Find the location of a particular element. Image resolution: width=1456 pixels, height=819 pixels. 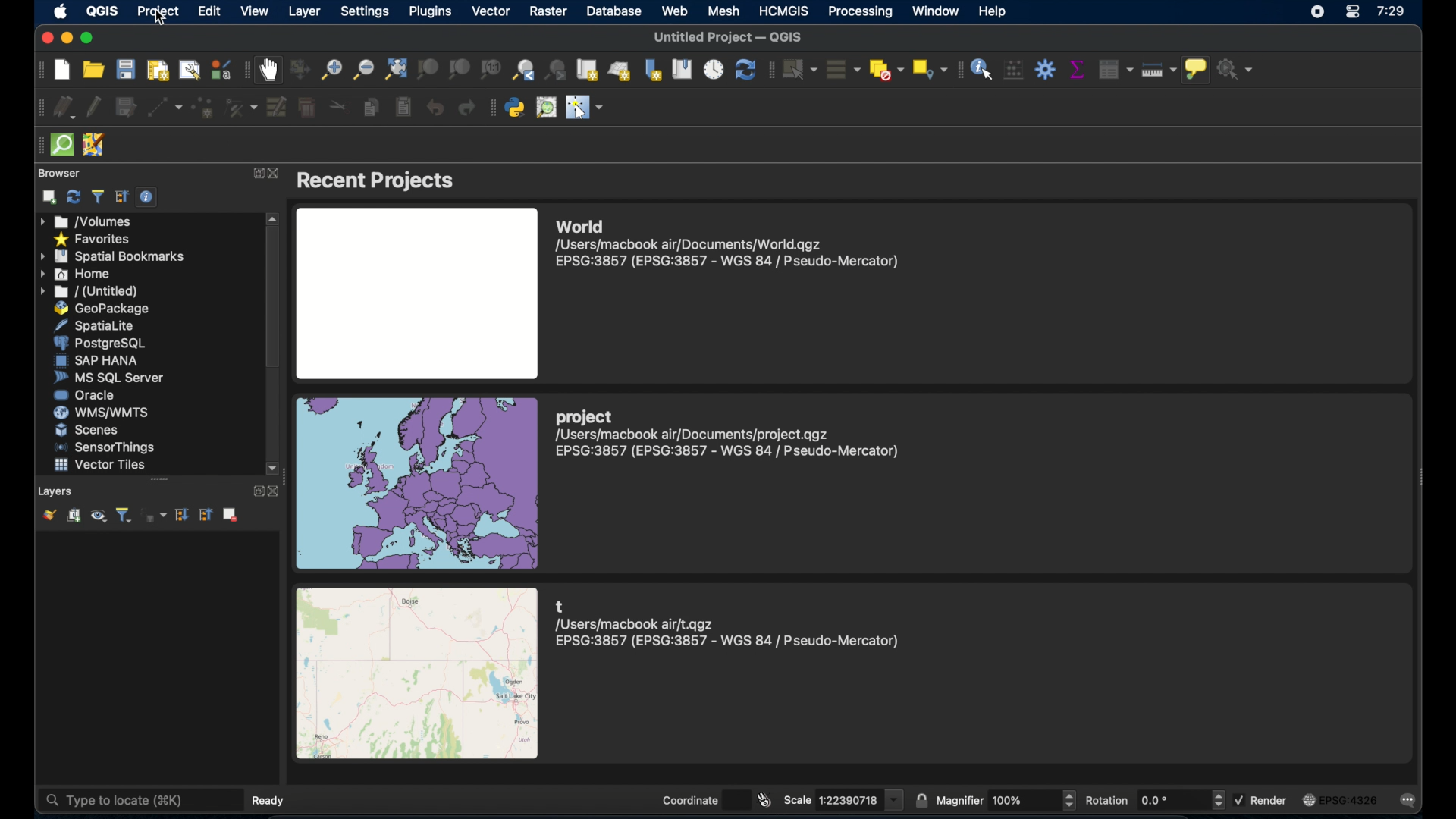

render is located at coordinates (1271, 801).